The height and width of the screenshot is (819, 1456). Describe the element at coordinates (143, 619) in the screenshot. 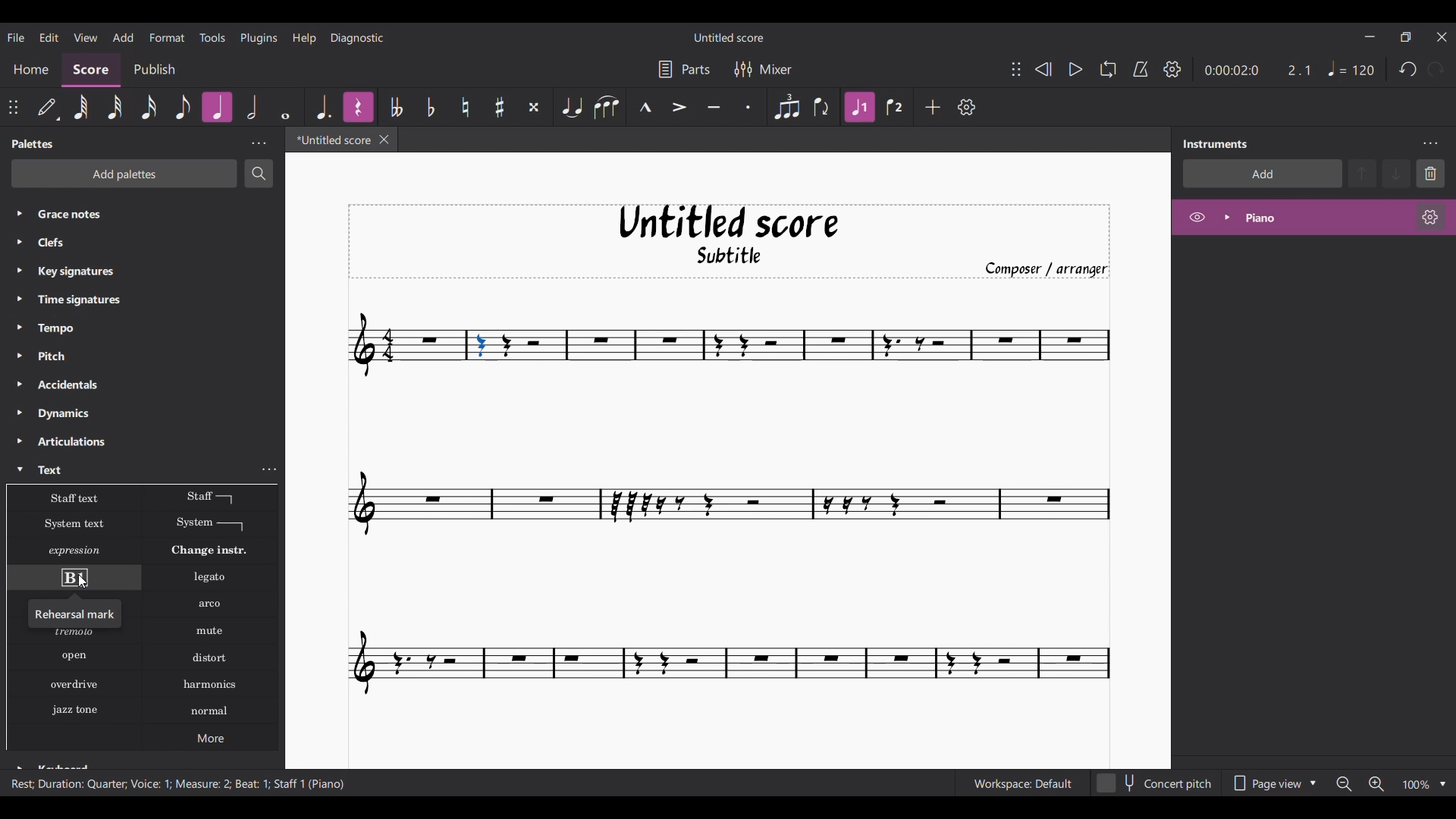

I see `All options on text palette` at that location.